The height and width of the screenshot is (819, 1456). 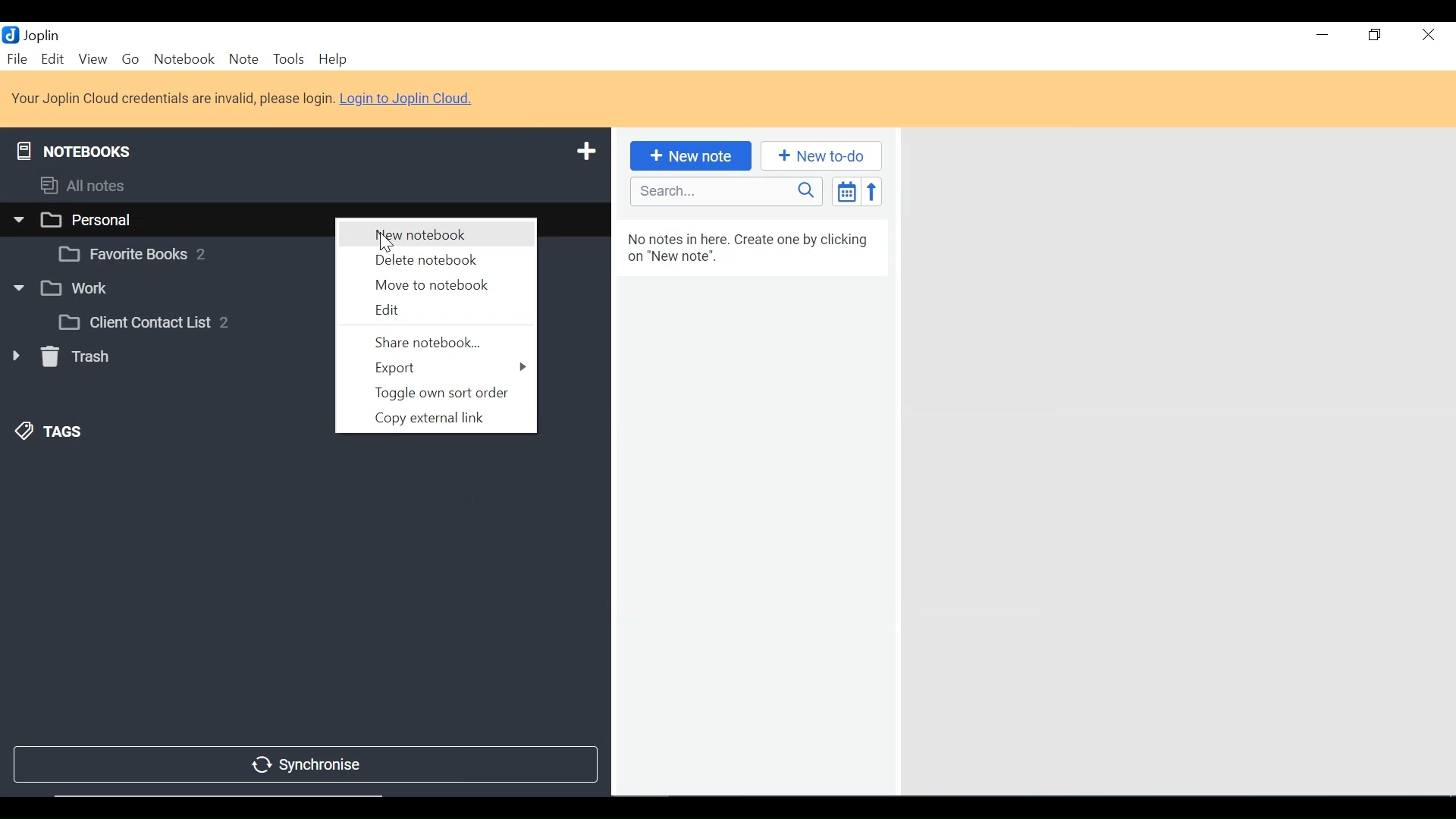 I want to click on Reverse Order, so click(x=871, y=191).